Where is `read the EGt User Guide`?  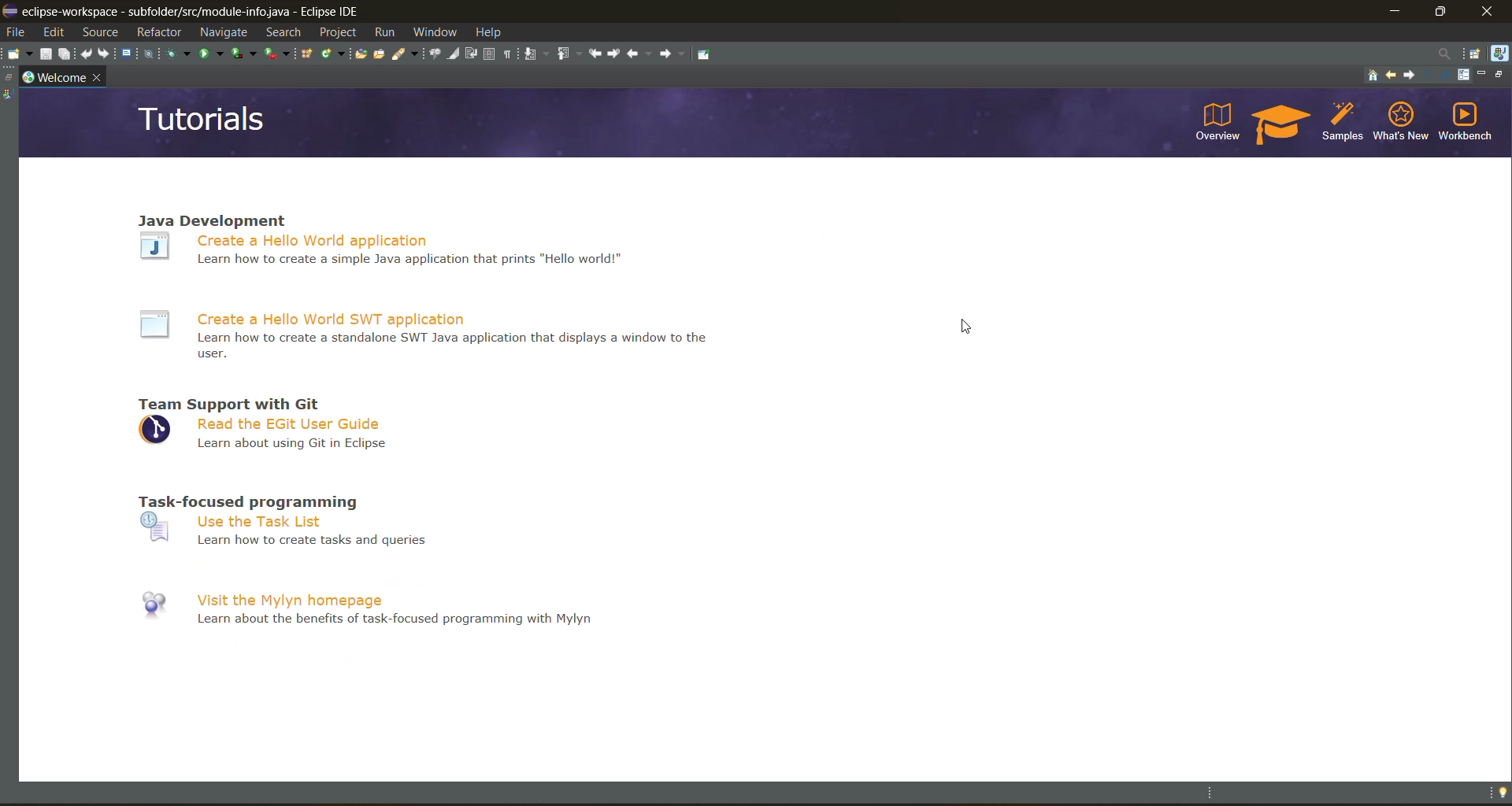 read the EGt User Guide is located at coordinates (265, 434).